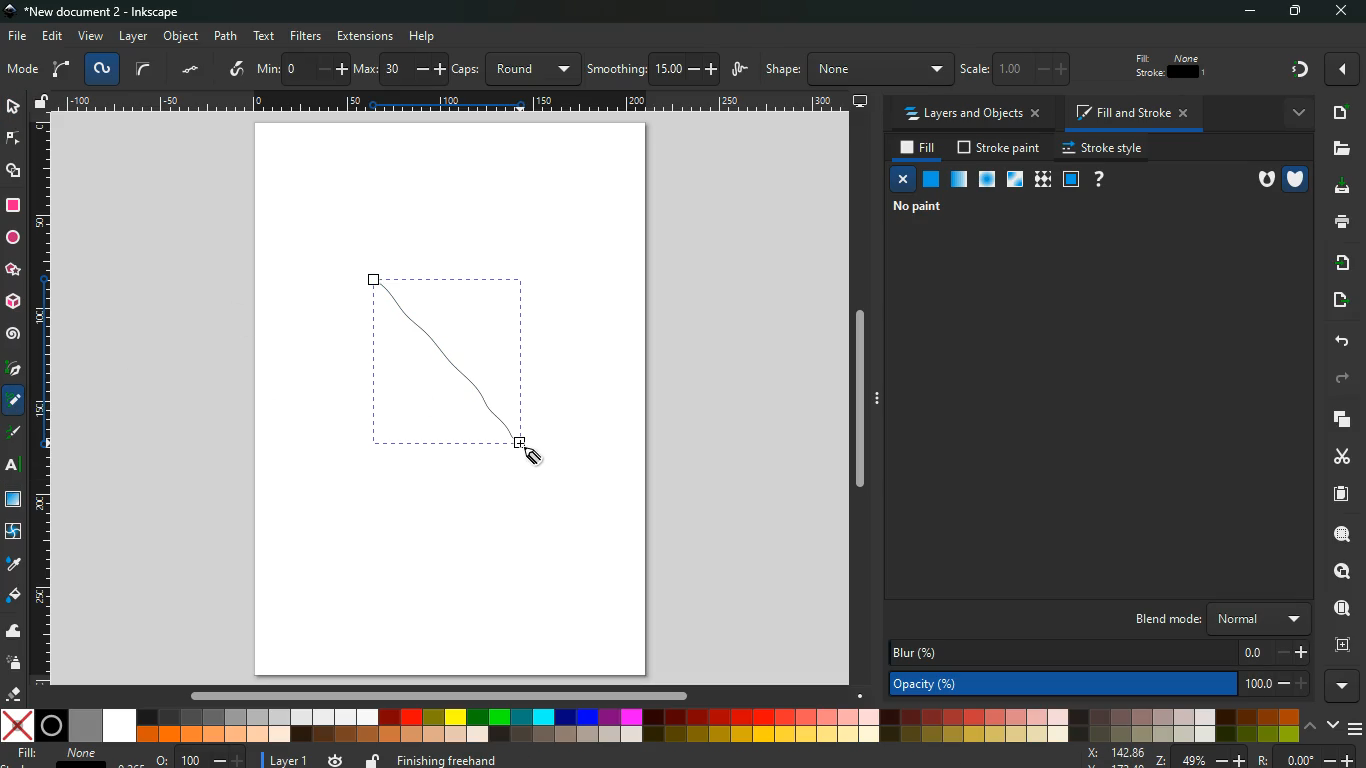 The height and width of the screenshot is (768, 1366). I want to click on rectangle, so click(13, 207).